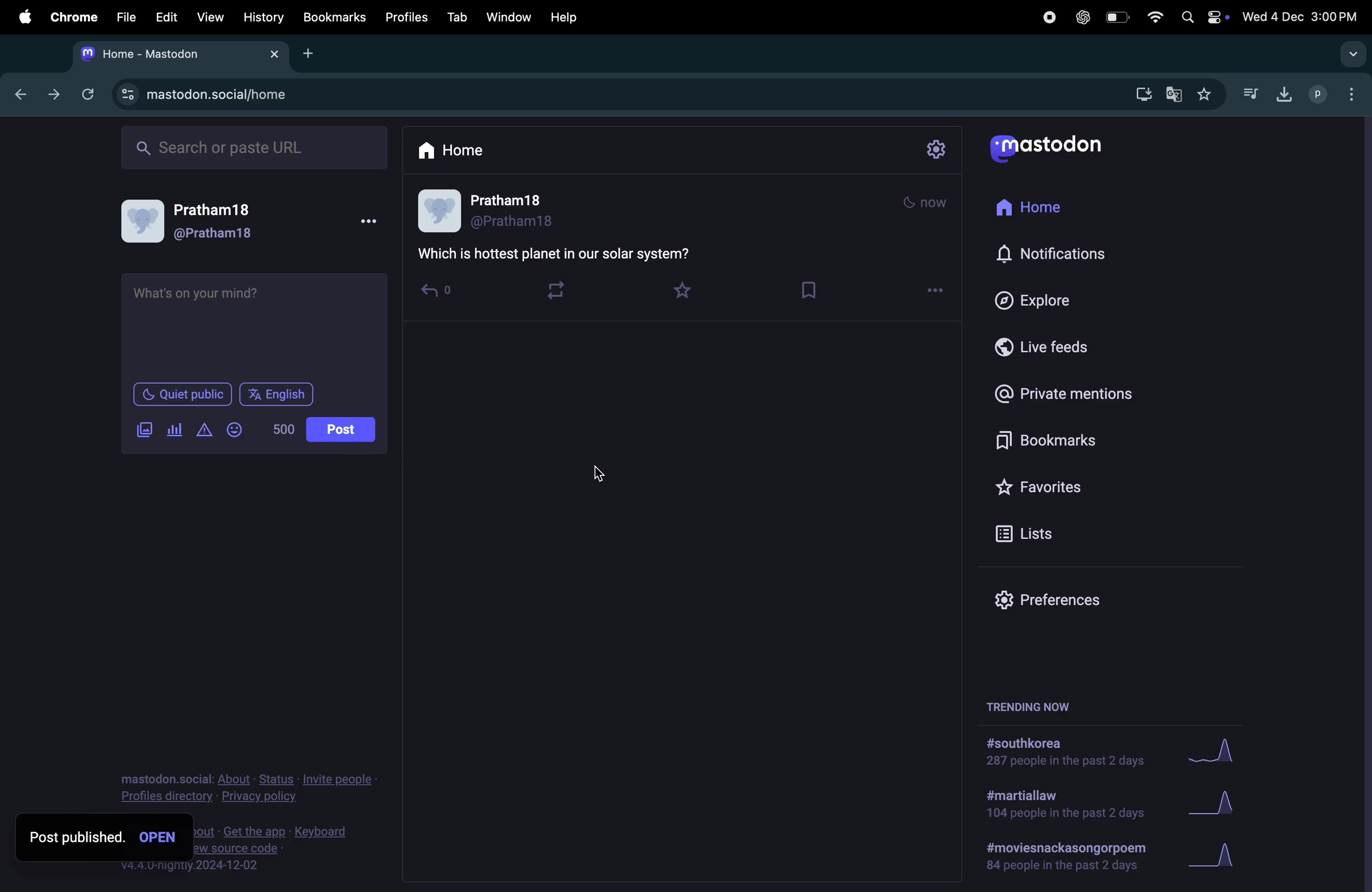  I want to click on reply, so click(440, 289).